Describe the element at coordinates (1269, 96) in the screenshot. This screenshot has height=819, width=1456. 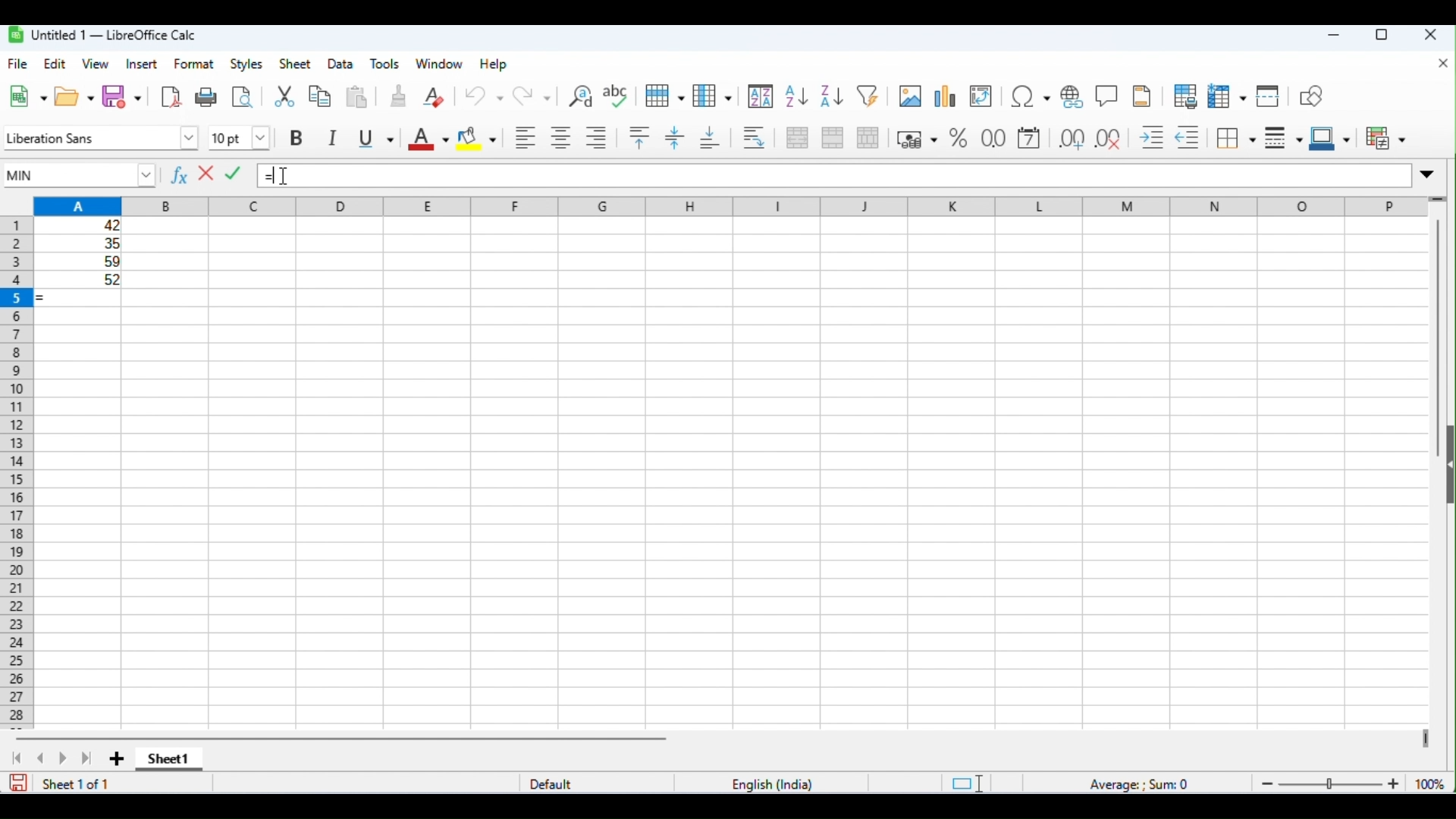
I see `split window` at that location.